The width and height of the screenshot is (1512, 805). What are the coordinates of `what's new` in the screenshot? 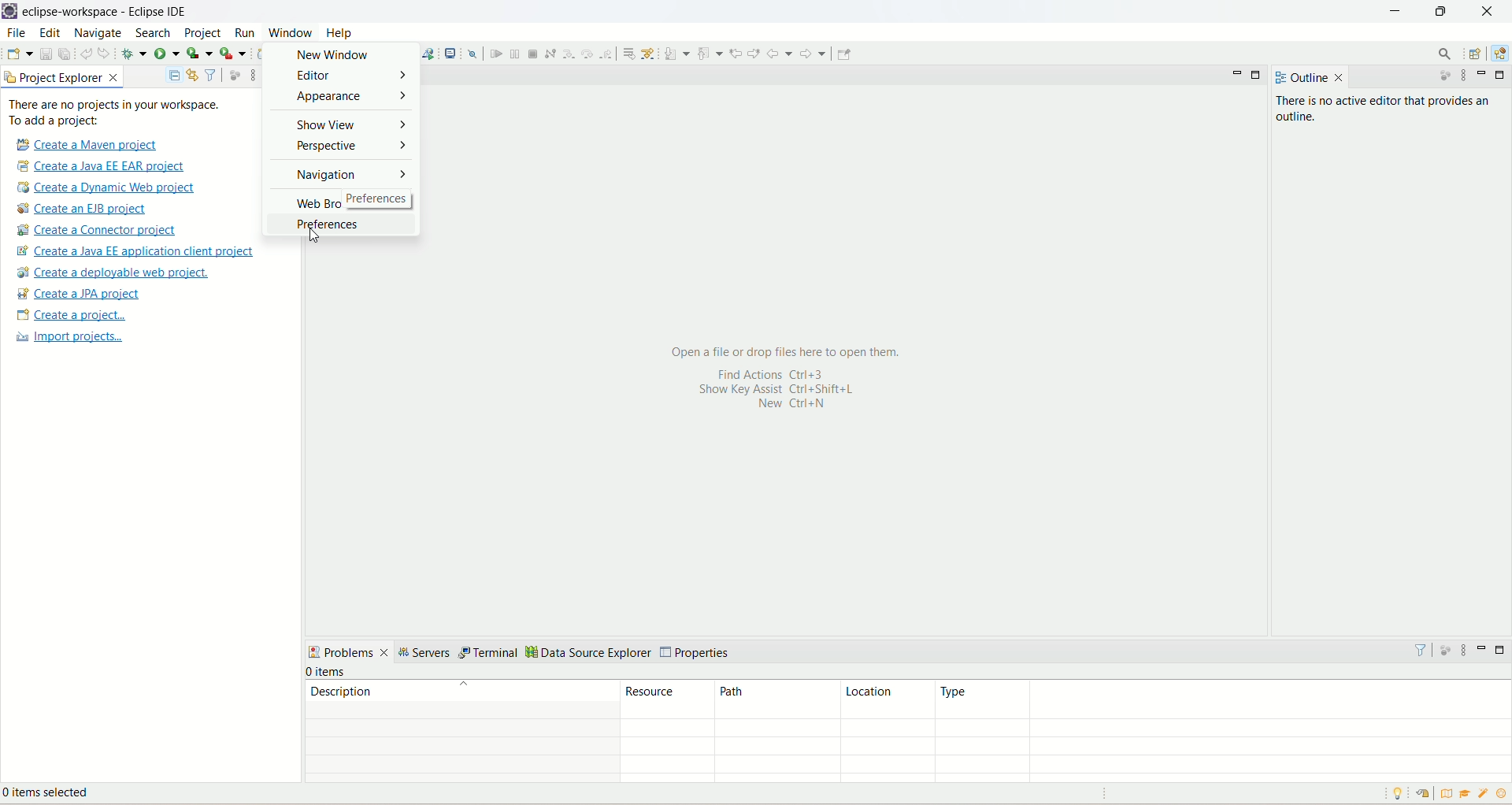 It's located at (1484, 796).